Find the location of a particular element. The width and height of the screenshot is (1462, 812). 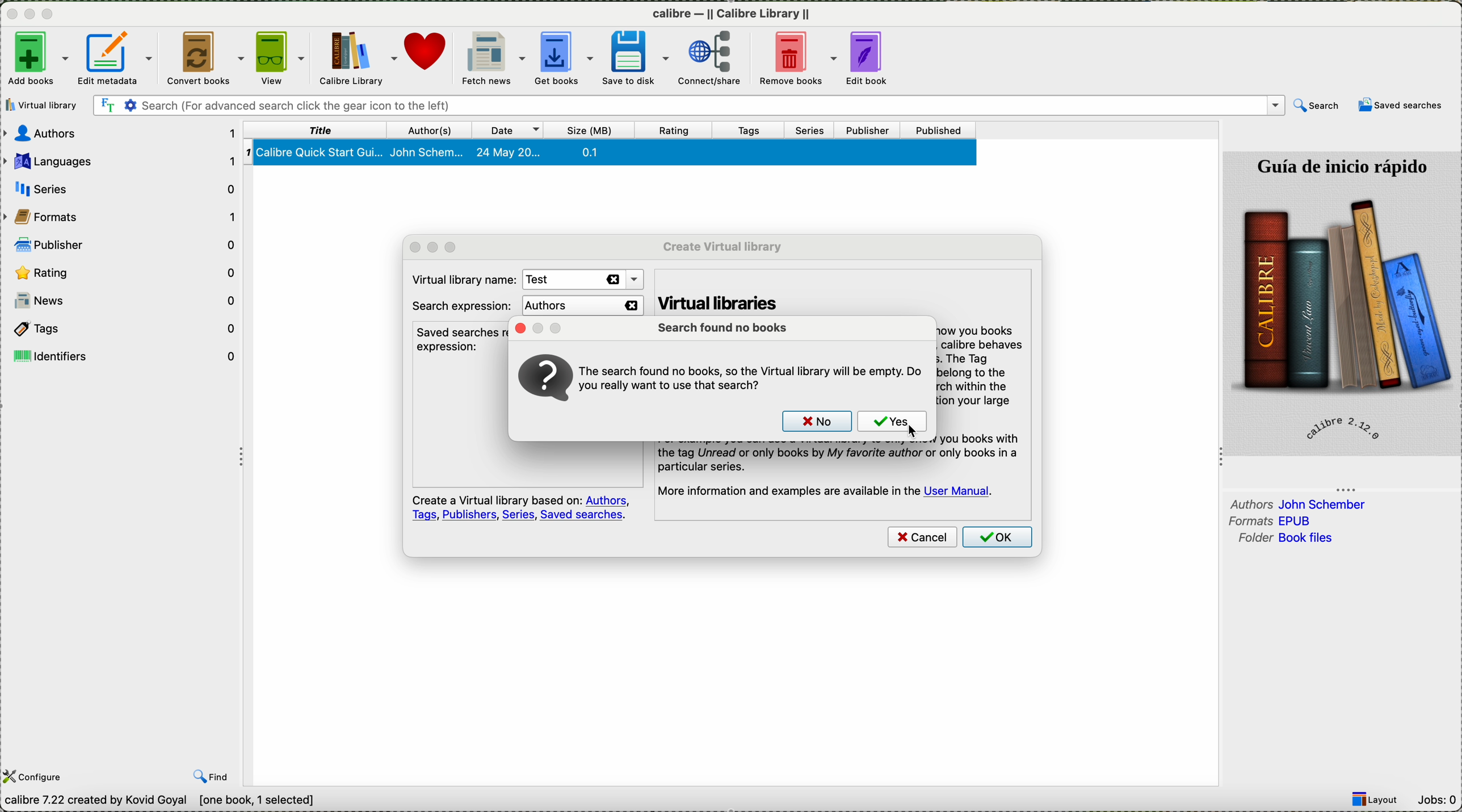

authors is located at coordinates (584, 306).